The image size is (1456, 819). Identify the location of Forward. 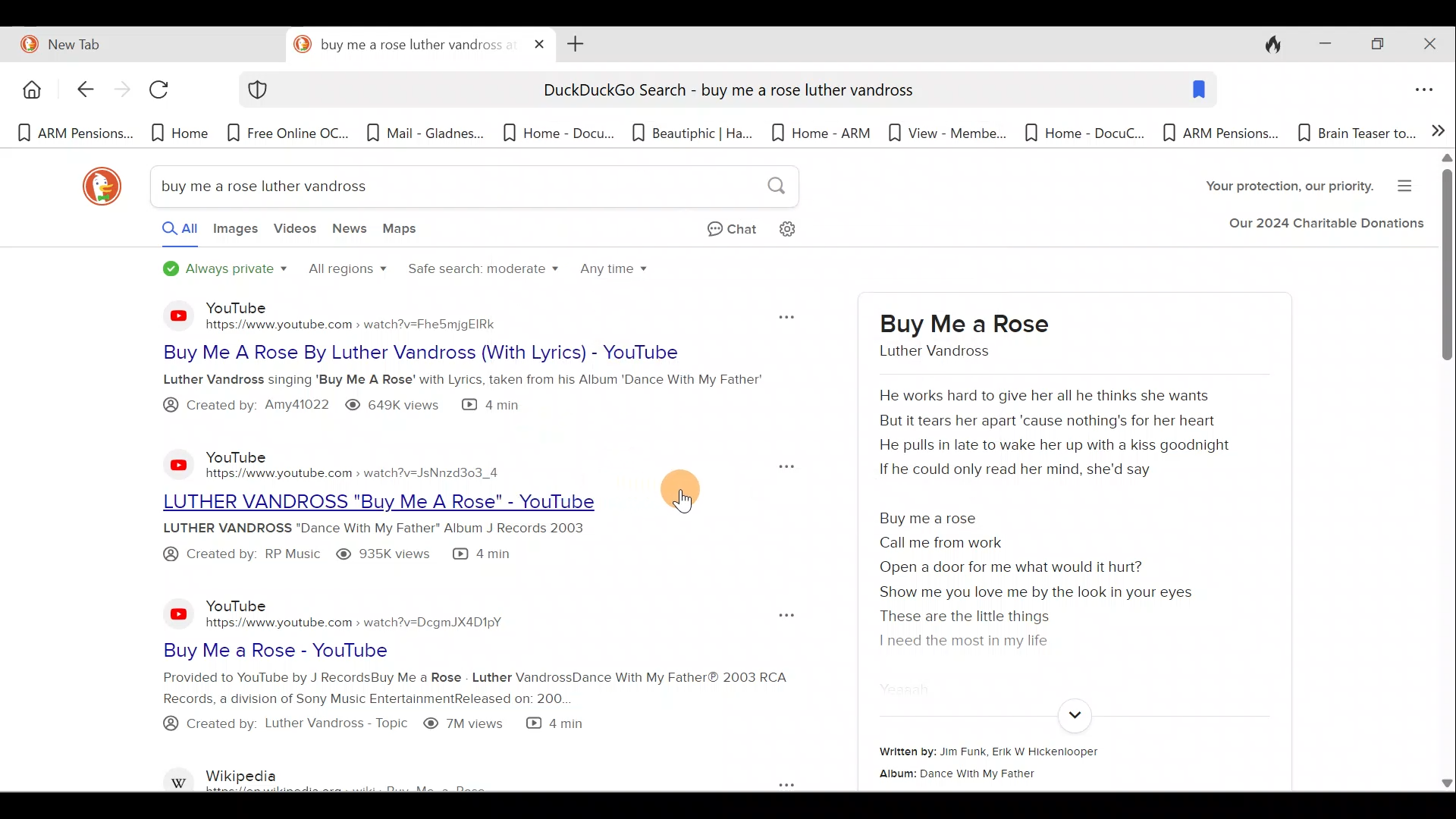
(120, 92).